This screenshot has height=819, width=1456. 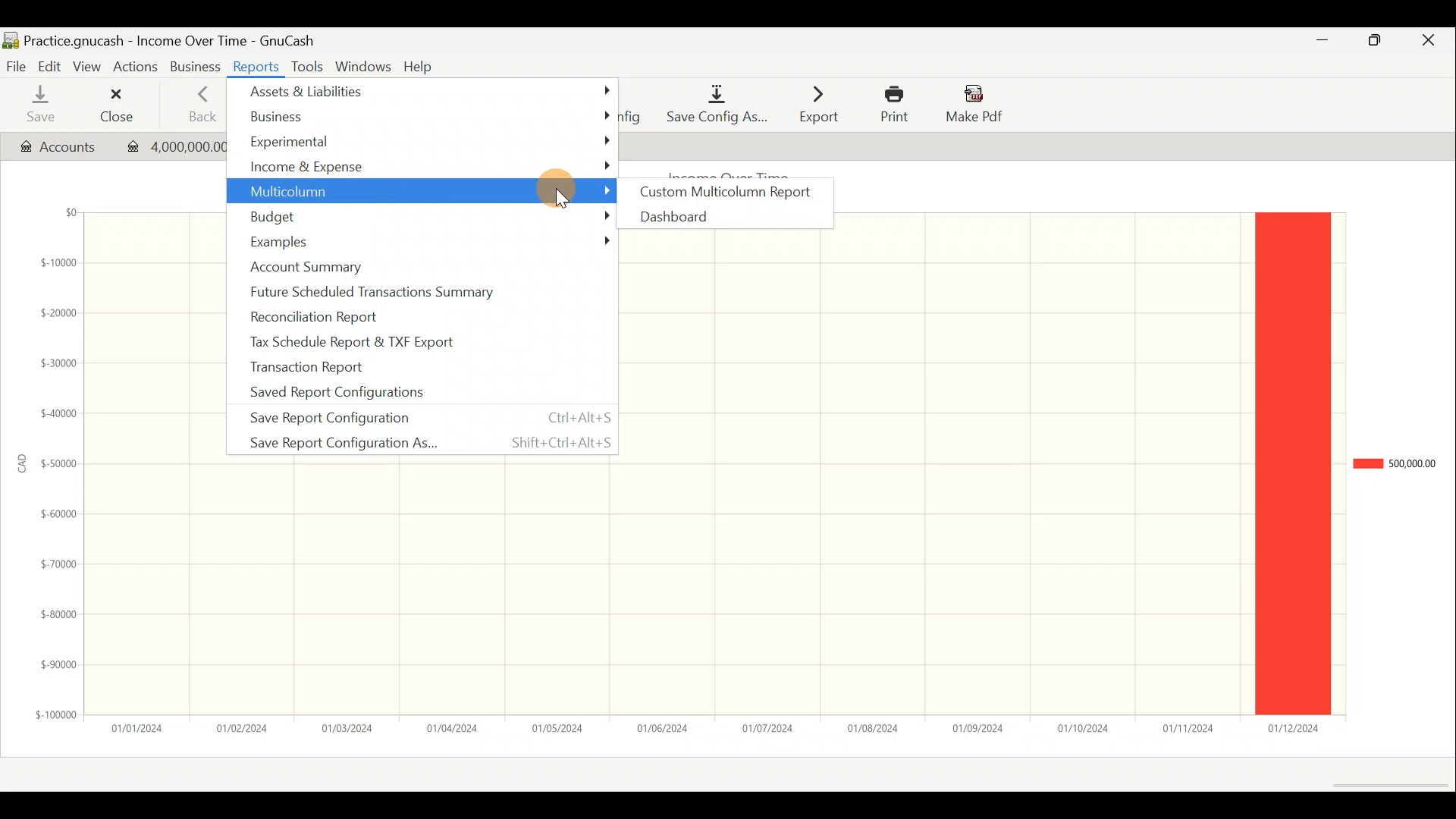 What do you see at coordinates (1378, 45) in the screenshot?
I see `Maximise` at bounding box center [1378, 45].